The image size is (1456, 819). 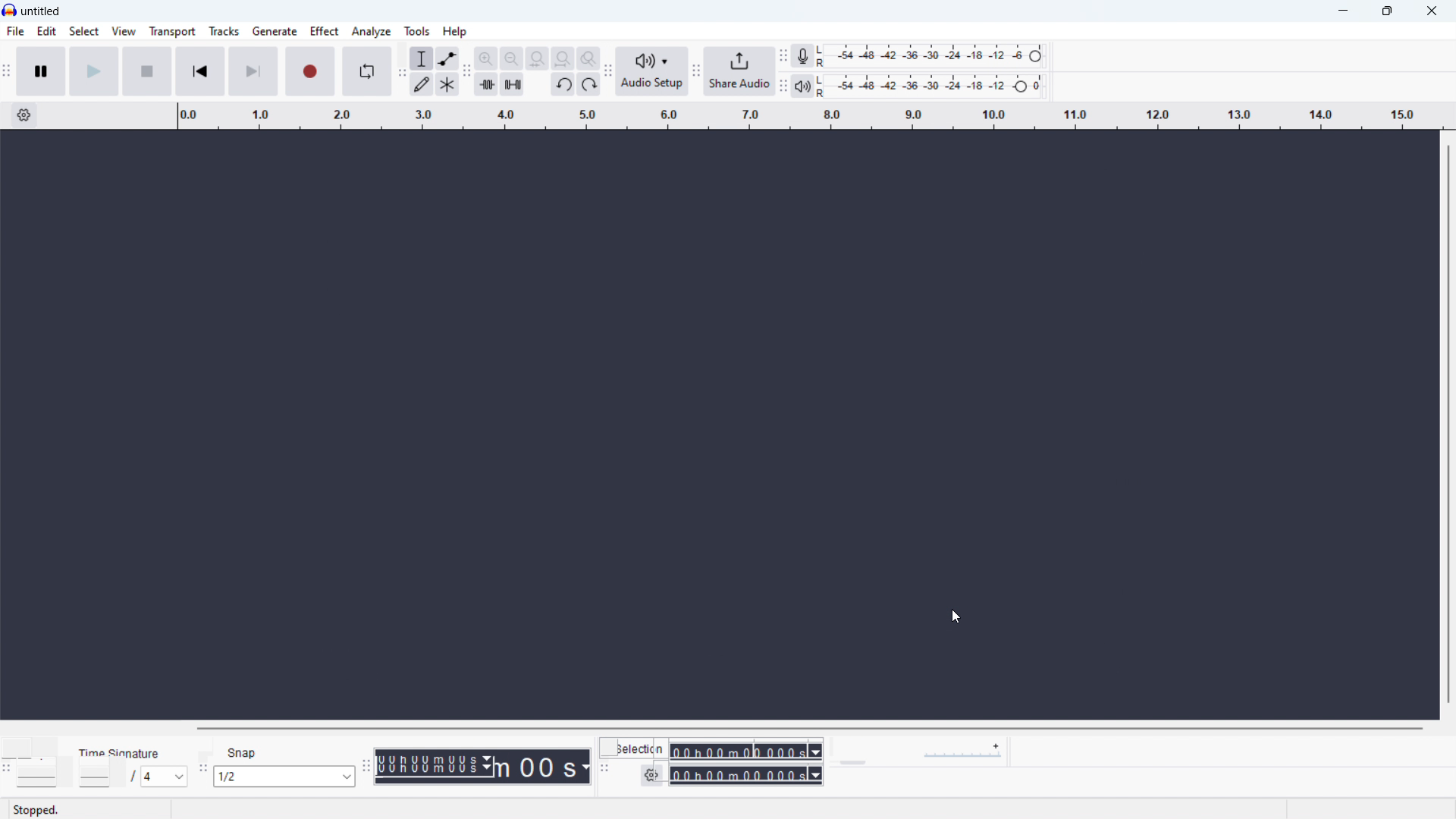 I want to click on toggle snap, so click(x=236, y=753).